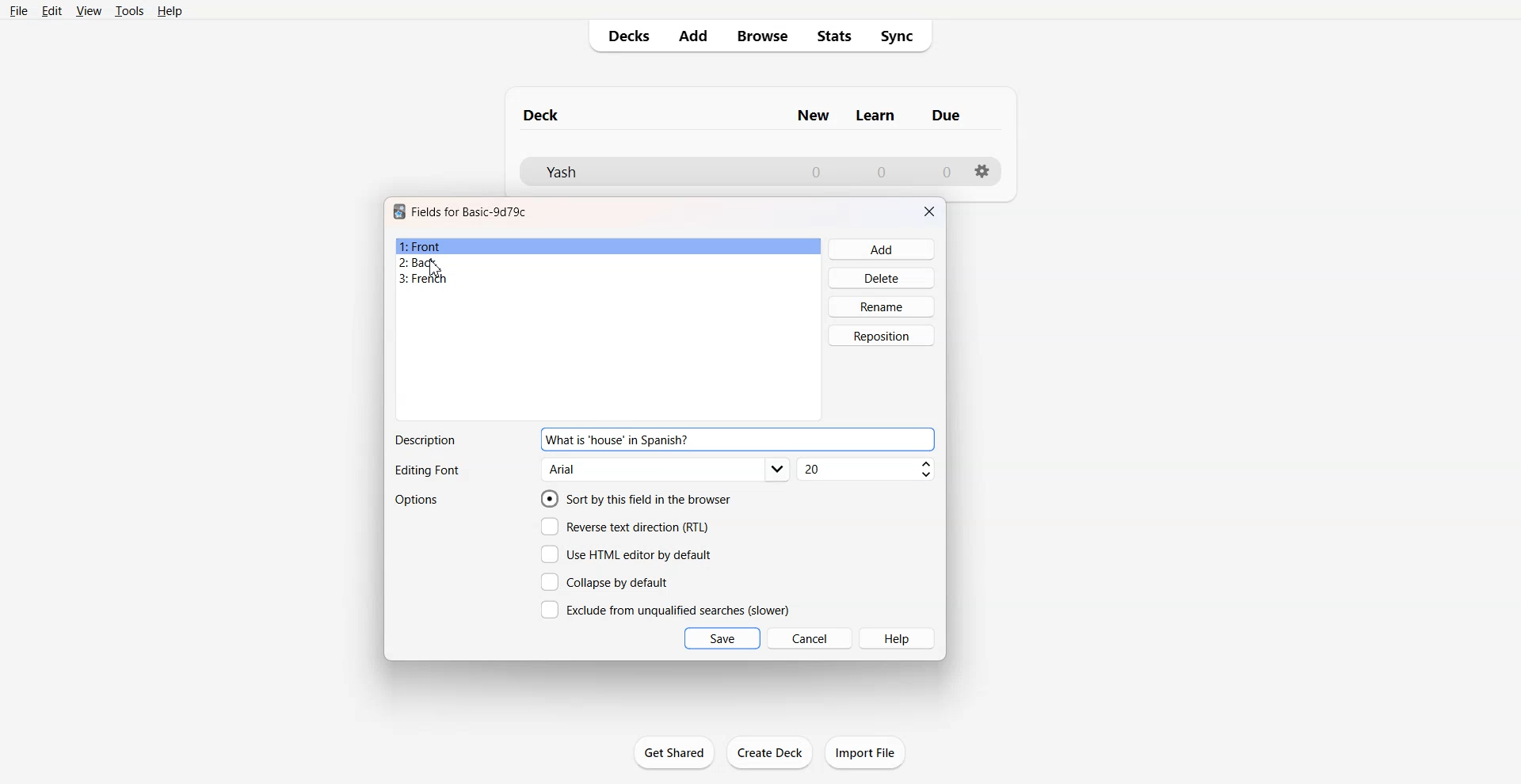  Describe the element at coordinates (882, 336) in the screenshot. I see `Reposition` at that location.